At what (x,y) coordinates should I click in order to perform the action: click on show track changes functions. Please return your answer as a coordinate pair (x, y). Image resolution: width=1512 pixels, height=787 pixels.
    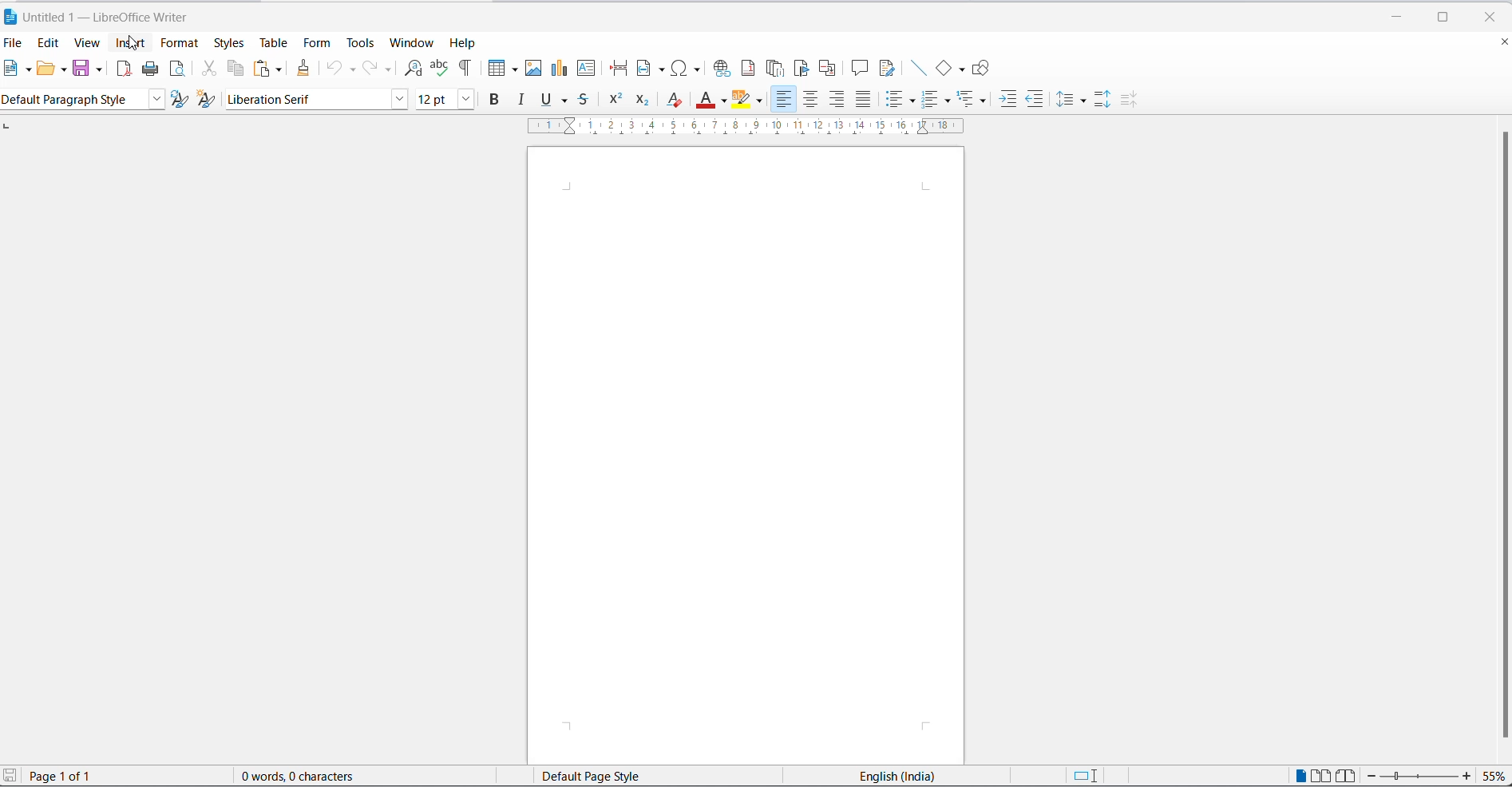
    Looking at the image, I should click on (888, 69).